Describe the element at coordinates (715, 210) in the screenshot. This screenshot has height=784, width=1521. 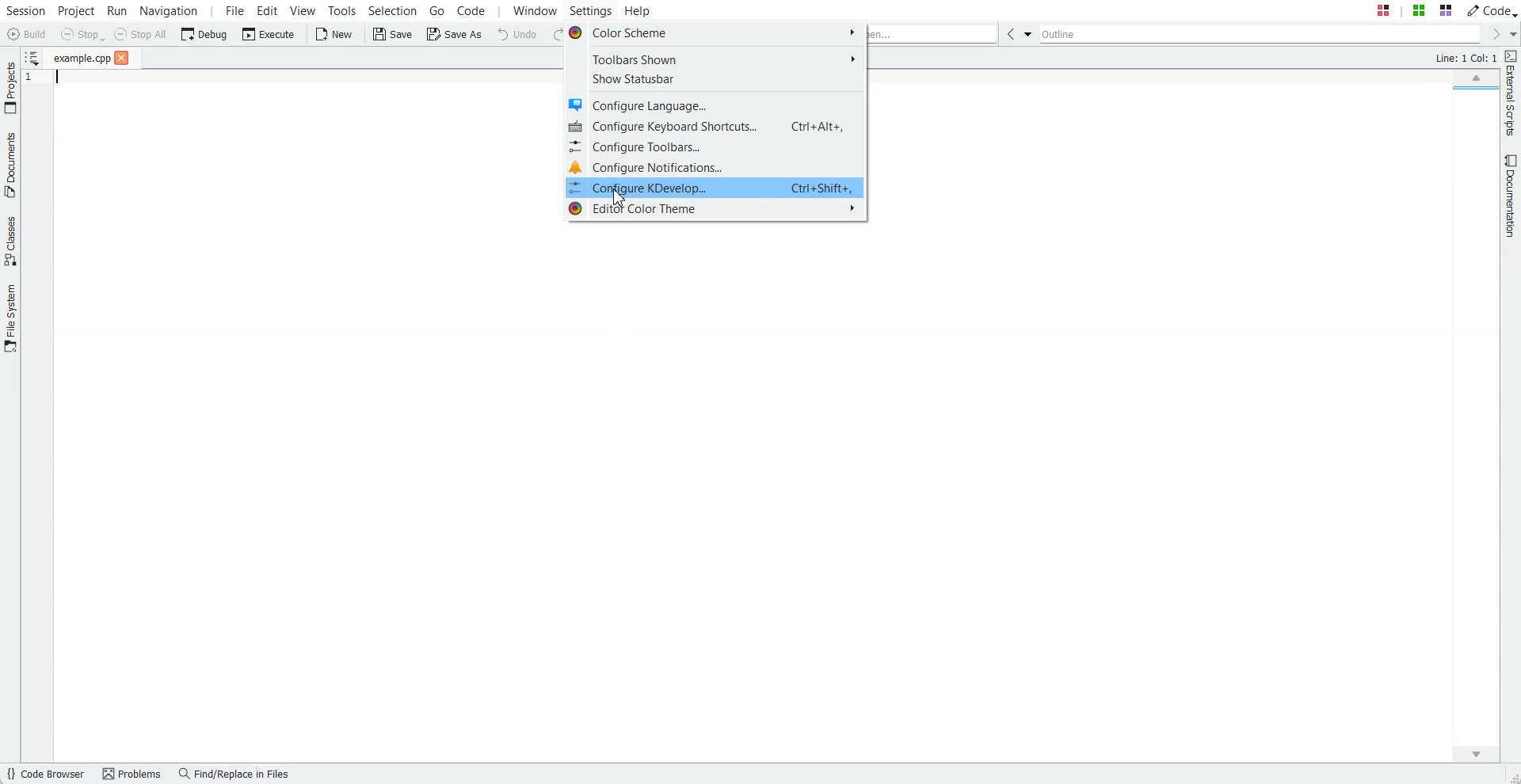
I see `Editor Color Theme` at that location.